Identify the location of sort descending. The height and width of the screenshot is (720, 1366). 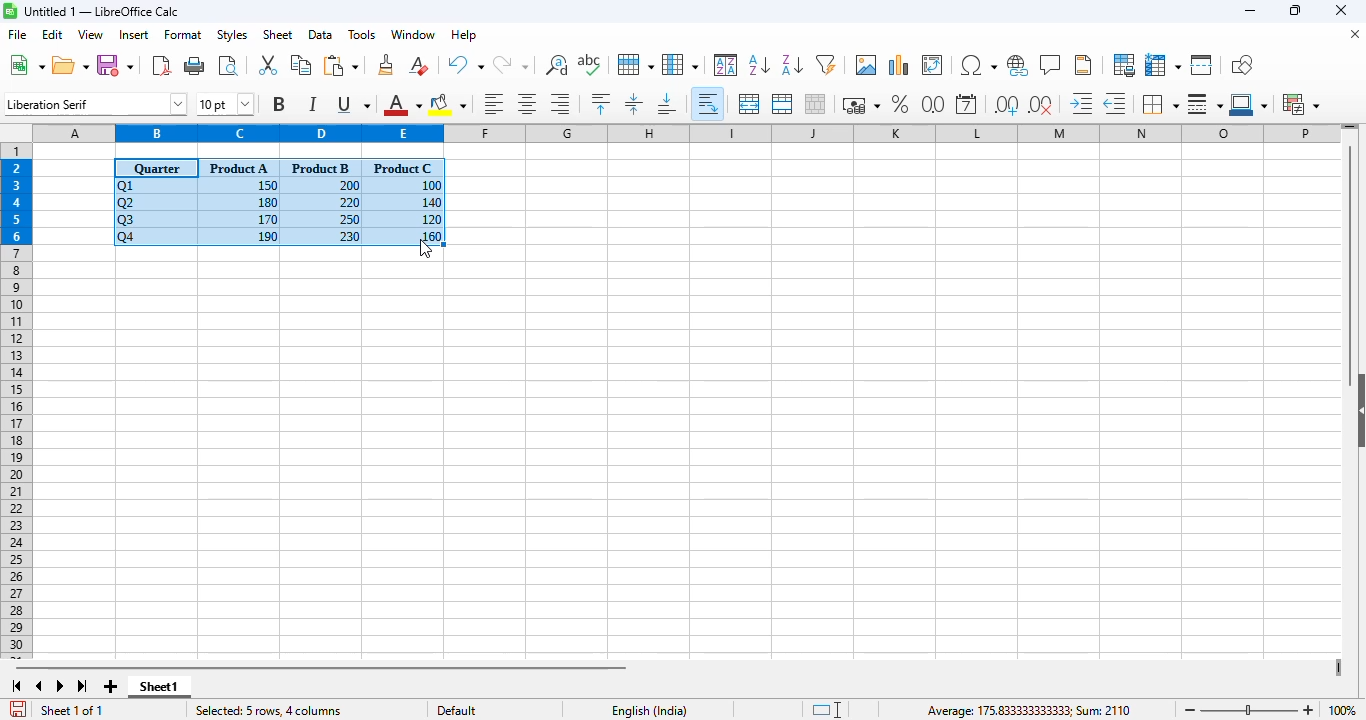
(793, 65).